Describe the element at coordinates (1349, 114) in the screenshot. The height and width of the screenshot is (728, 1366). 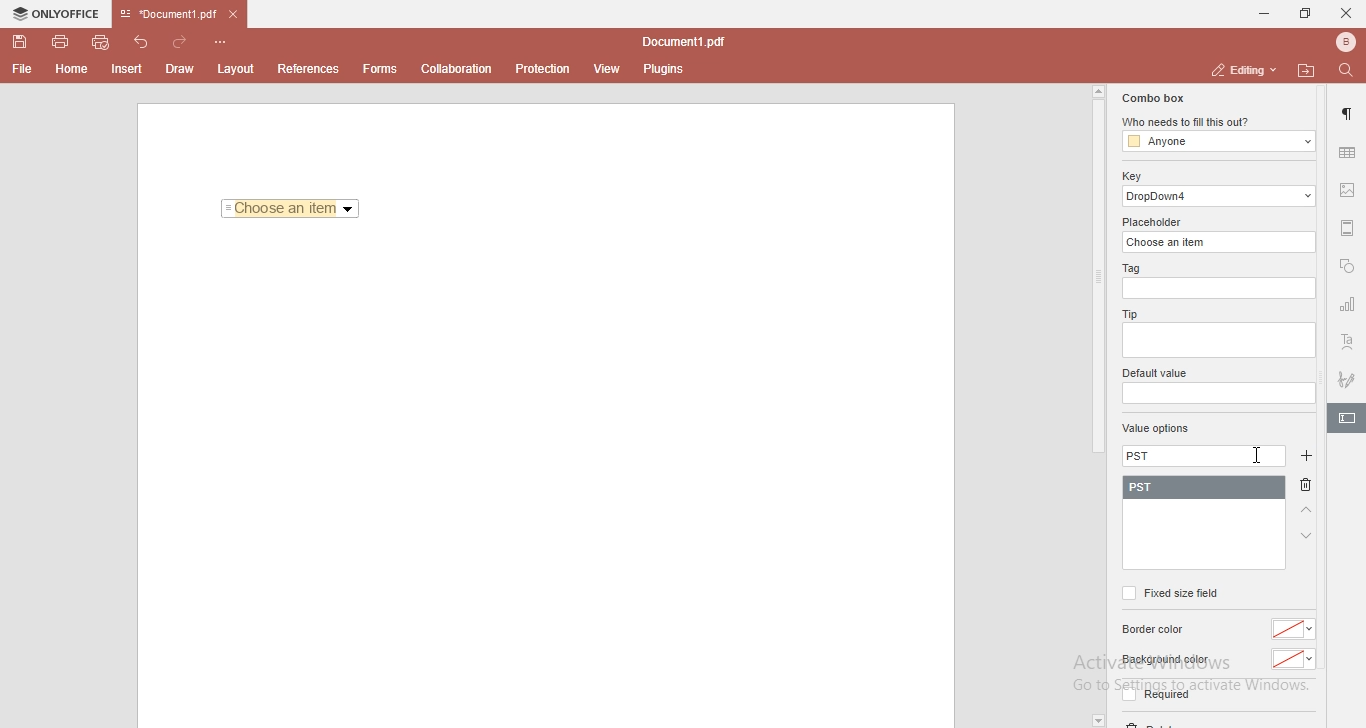
I see `paragraph` at that location.